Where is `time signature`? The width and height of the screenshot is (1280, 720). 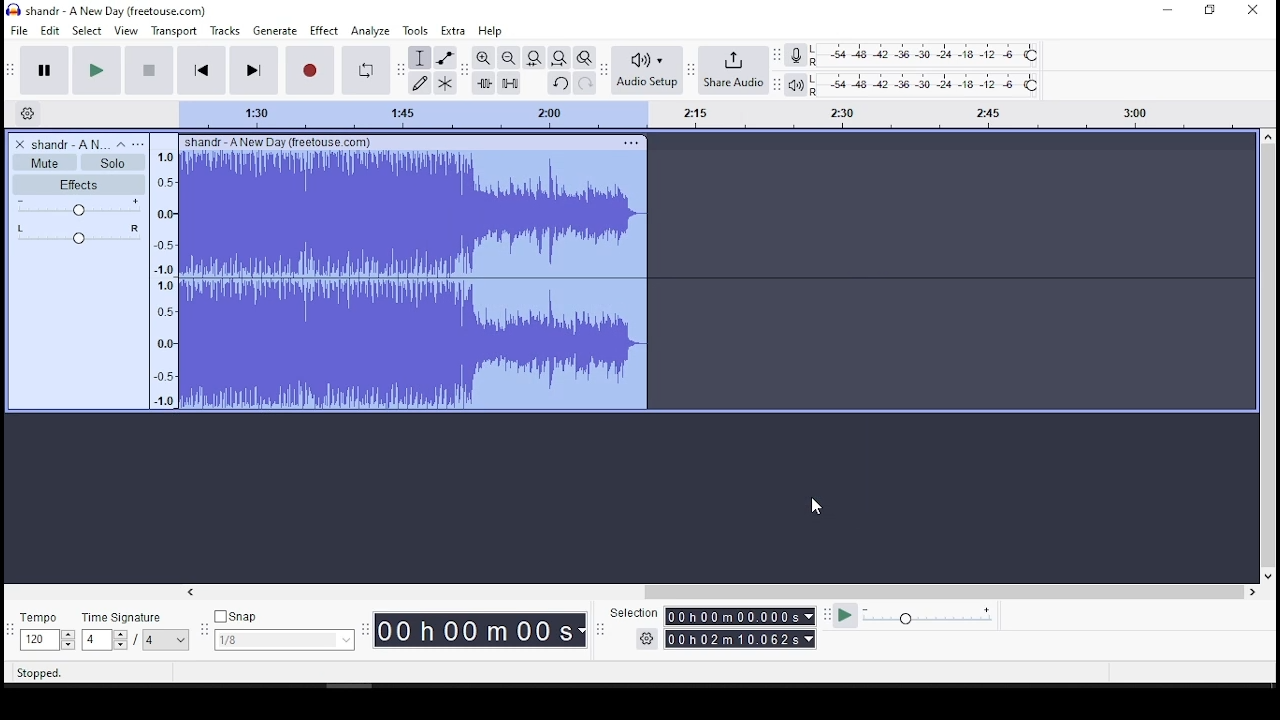 time signature is located at coordinates (136, 631).